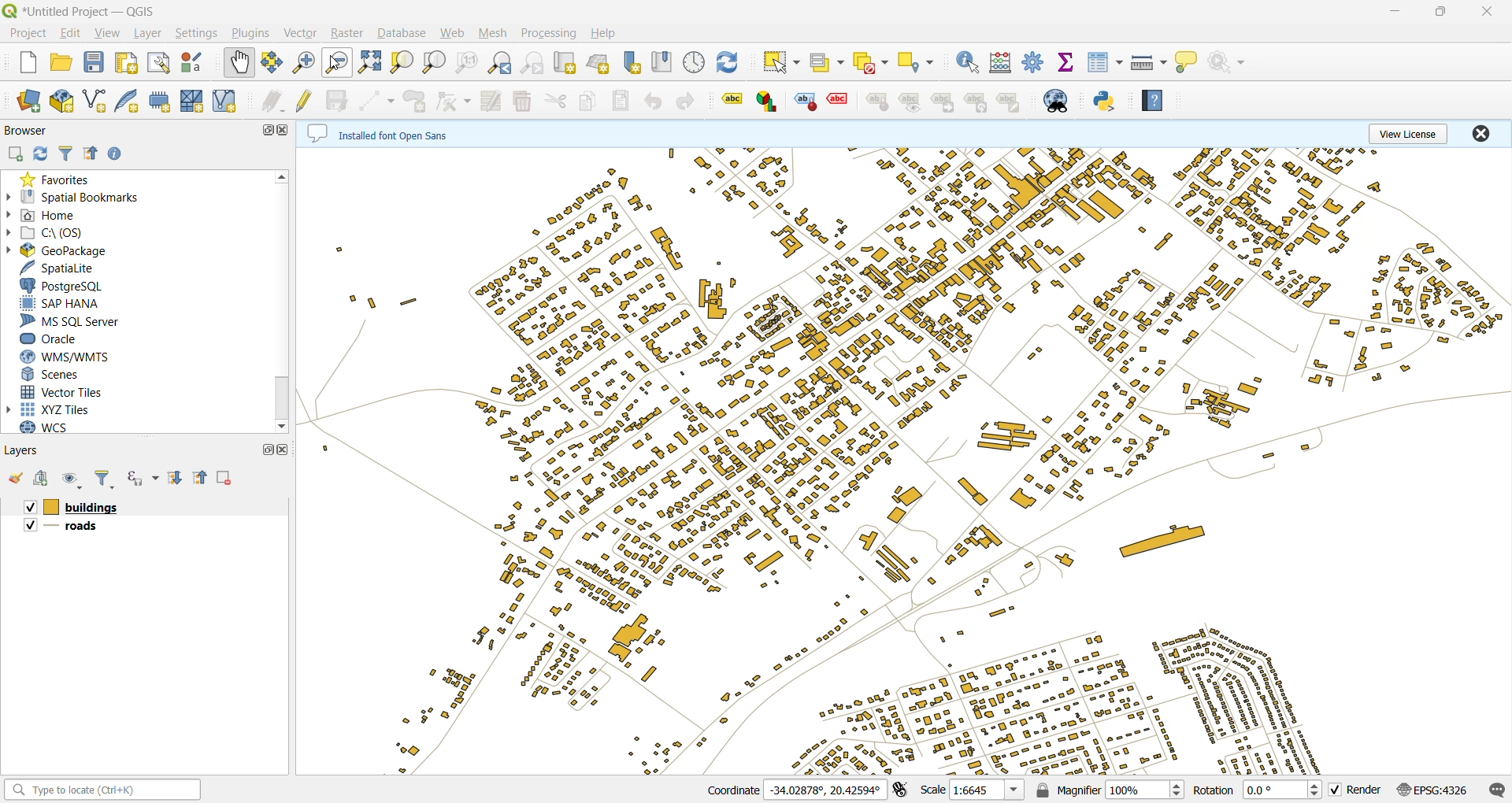 The image size is (1512, 803). What do you see at coordinates (601, 65) in the screenshot?
I see `new 3d map` at bounding box center [601, 65].